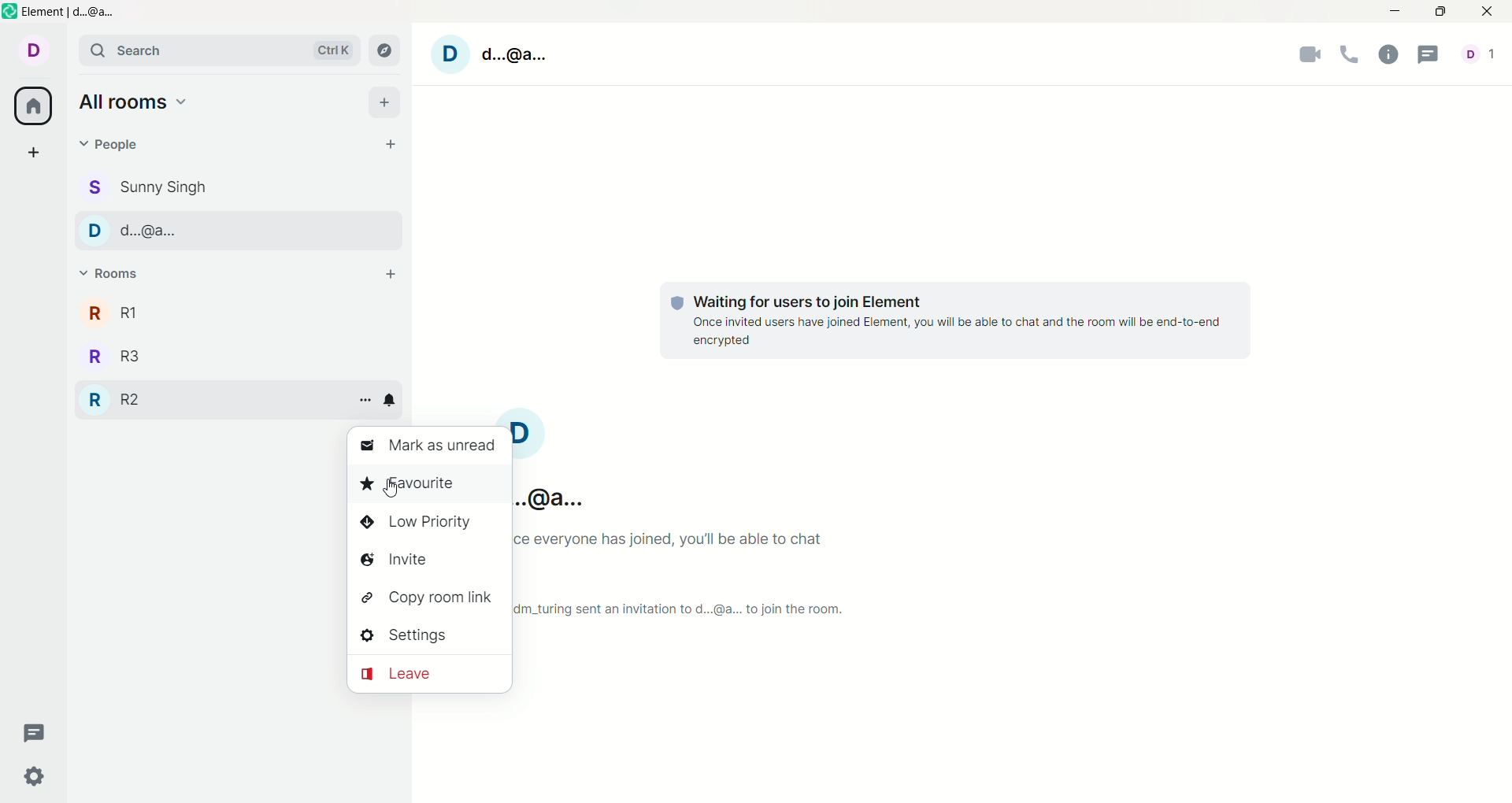 This screenshot has width=1512, height=803. I want to click on Element logo, so click(10, 11).